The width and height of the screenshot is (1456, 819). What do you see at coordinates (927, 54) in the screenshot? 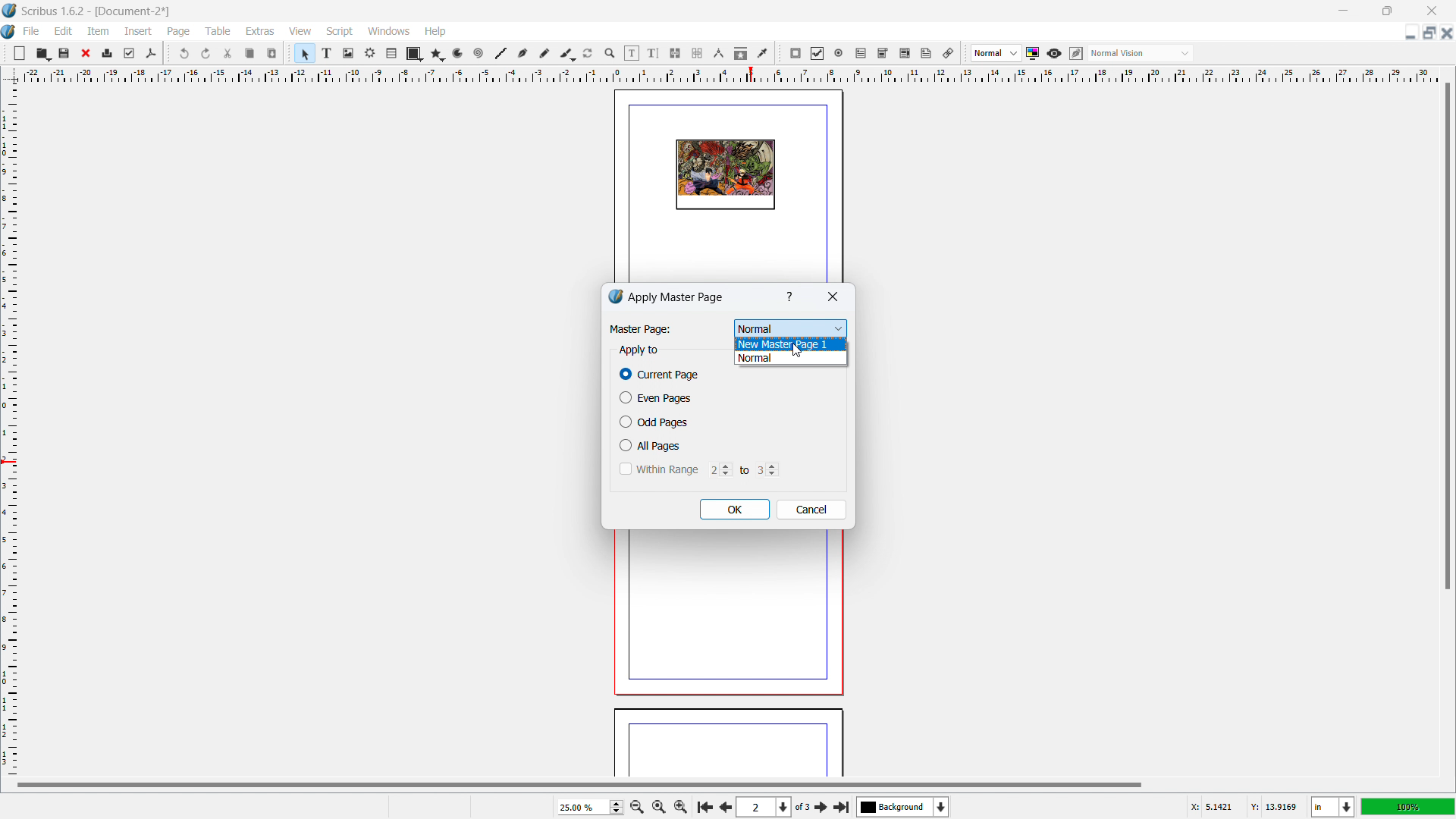
I see `text annotation` at bounding box center [927, 54].